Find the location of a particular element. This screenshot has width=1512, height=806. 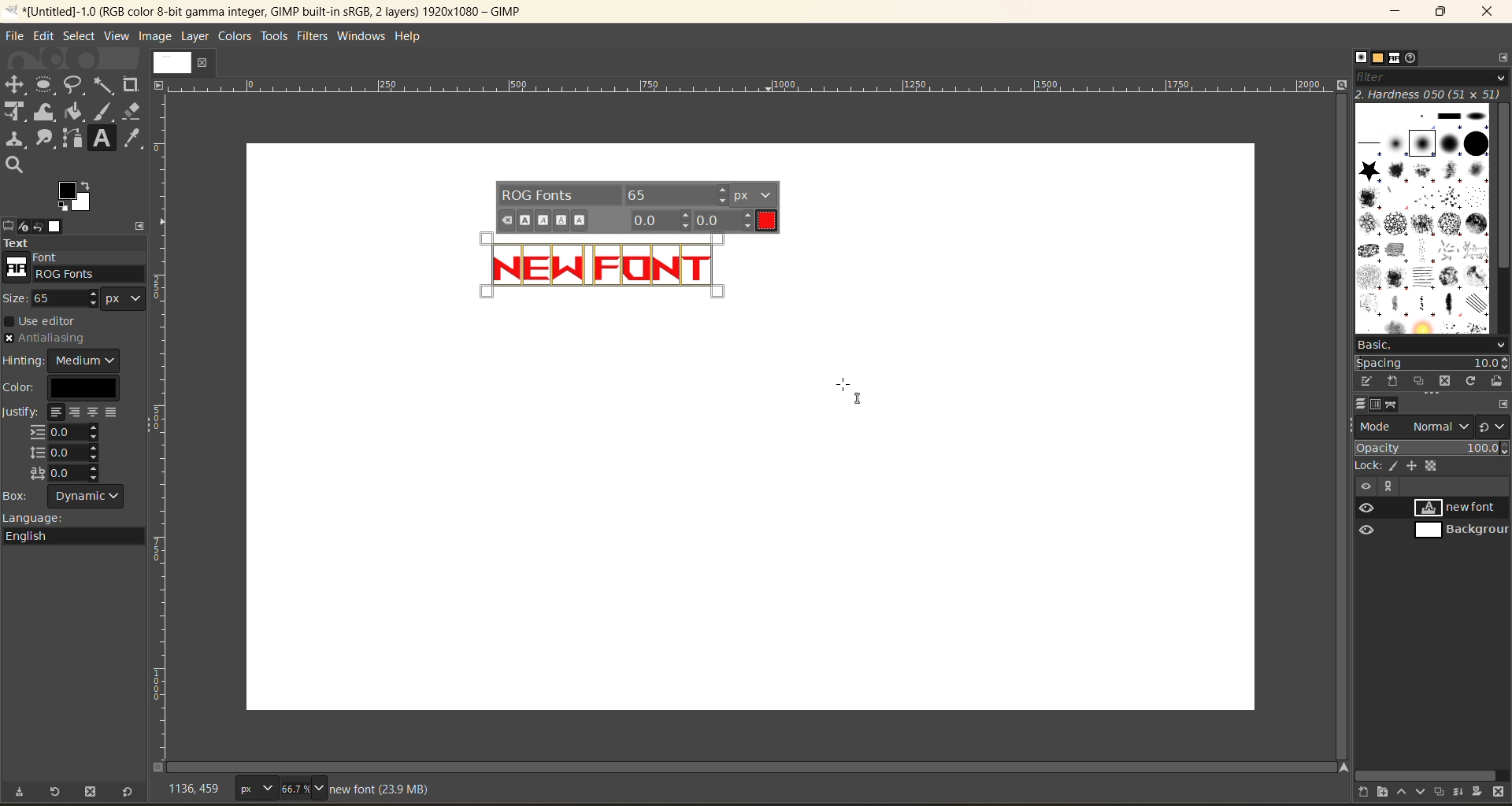

cursor is located at coordinates (850, 392).